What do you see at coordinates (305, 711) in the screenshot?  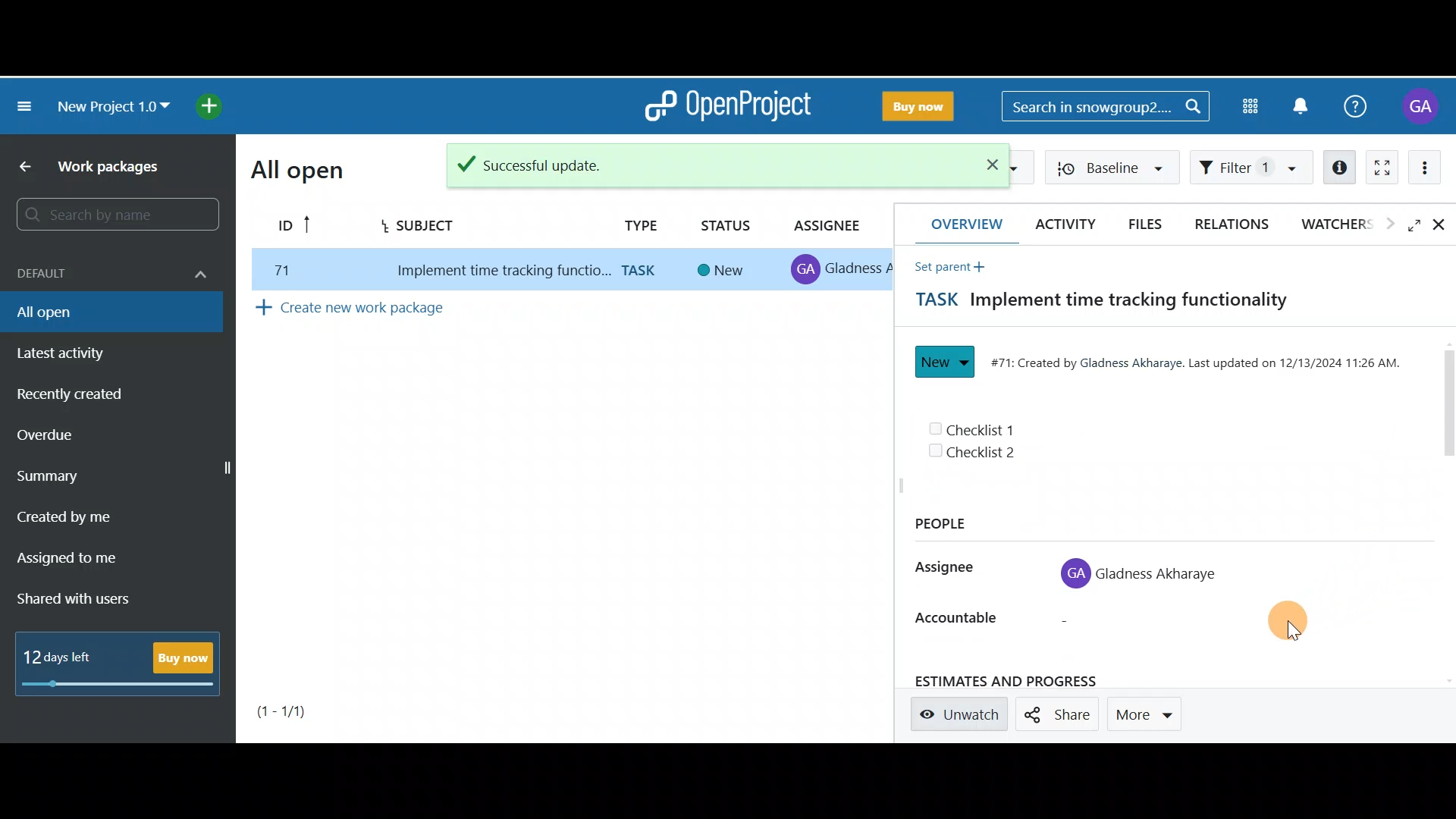 I see `Page number` at bounding box center [305, 711].